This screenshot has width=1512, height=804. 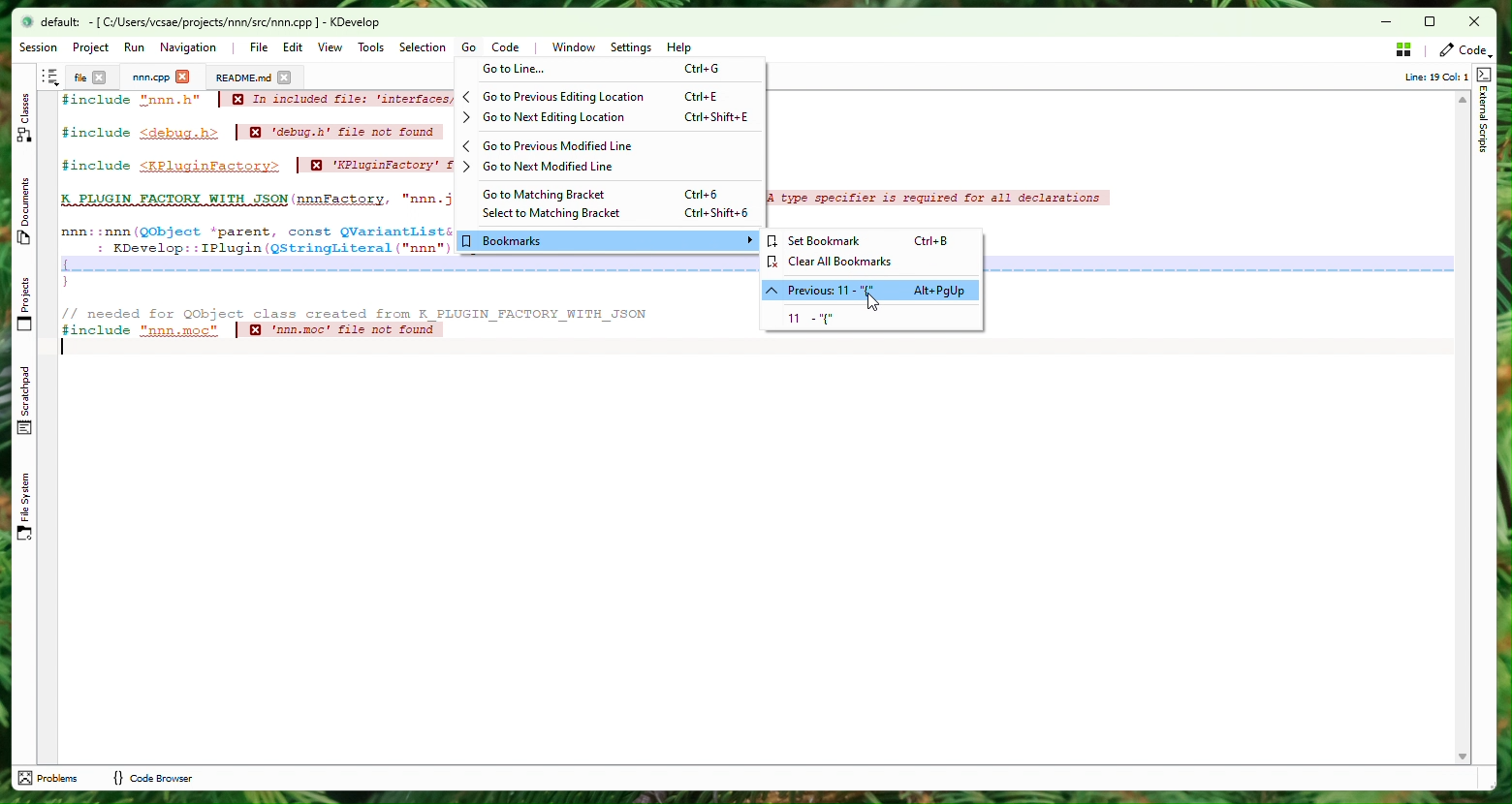 What do you see at coordinates (1403, 48) in the screenshot?
I see `Stash` at bounding box center [1403, 48].